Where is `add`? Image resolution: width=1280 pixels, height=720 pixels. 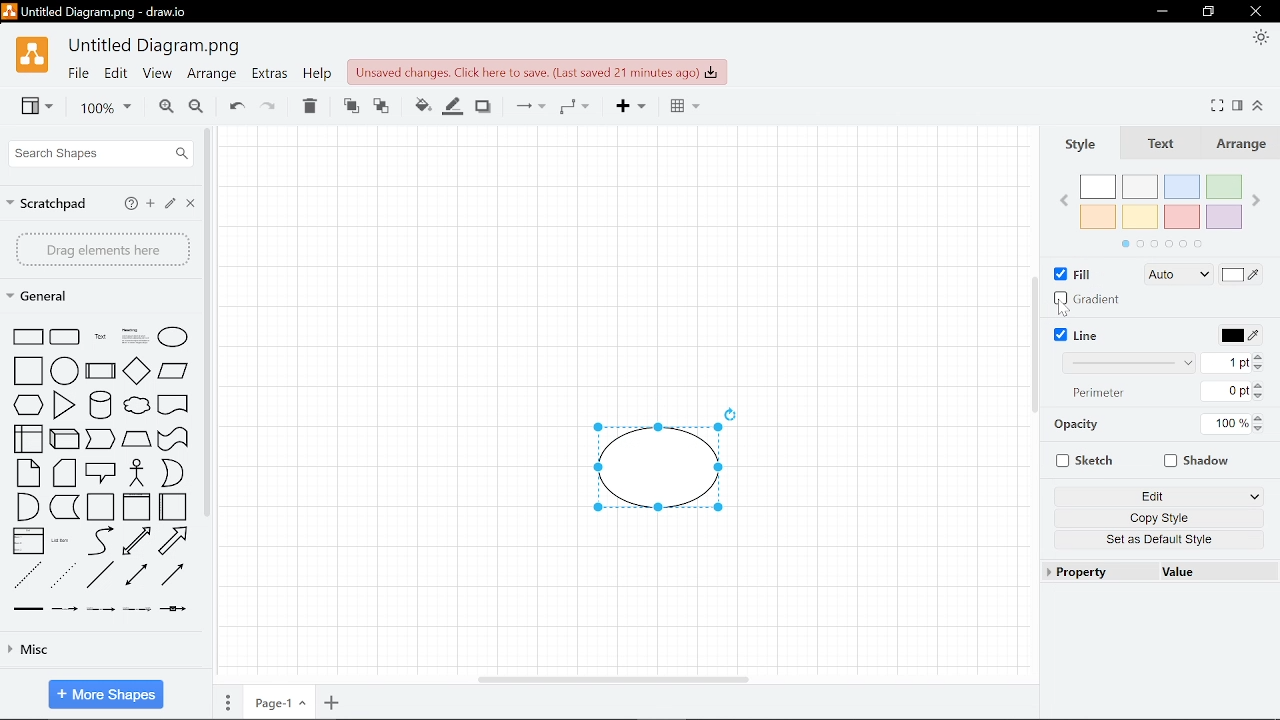 add is located at coordinates (149, 204).